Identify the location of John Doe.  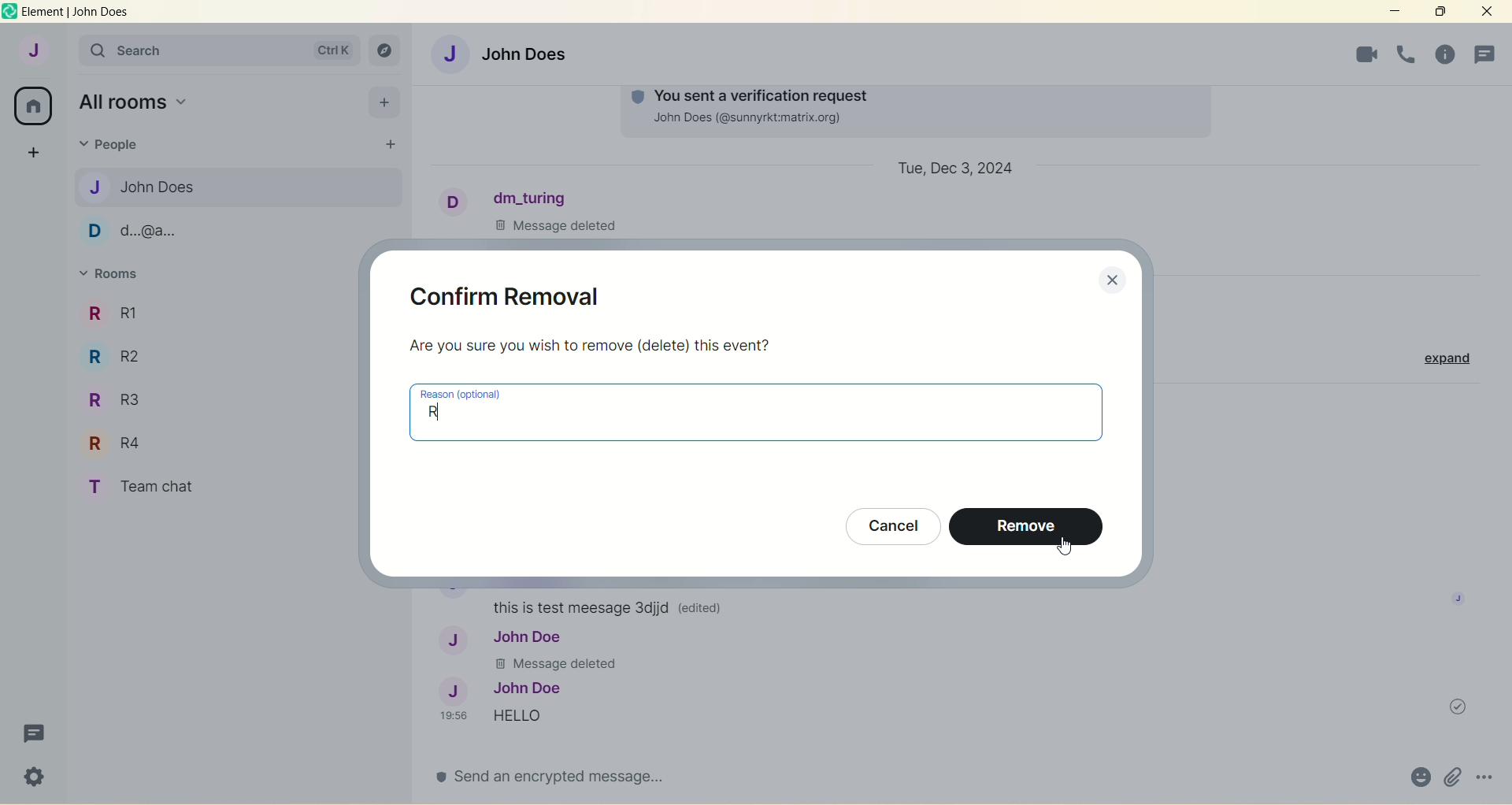
(504, 638).